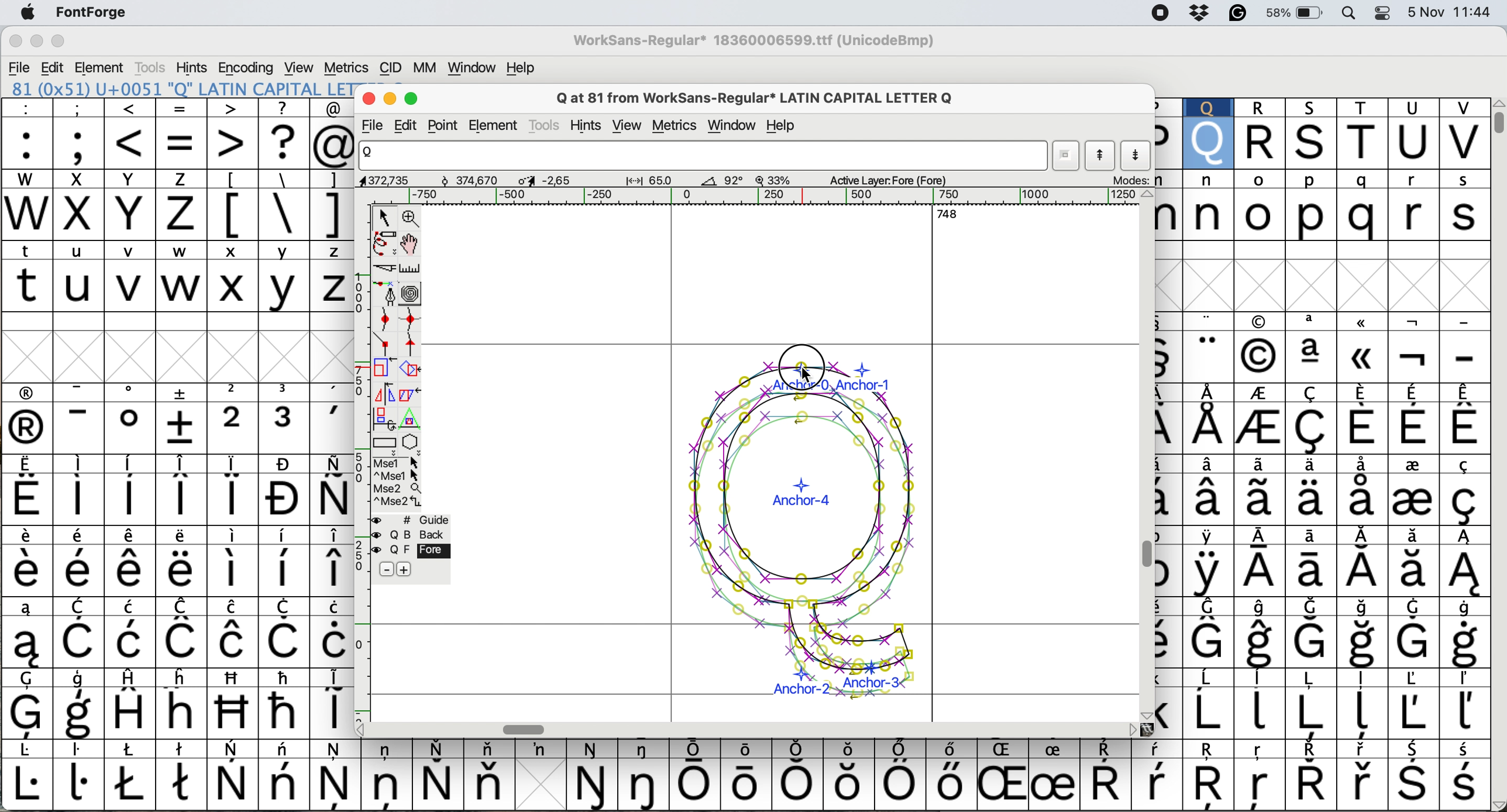  What do you see at coordinates (1238, 14) in the screenshot?
I see `grammarly` at bounding box center [1238, 14].